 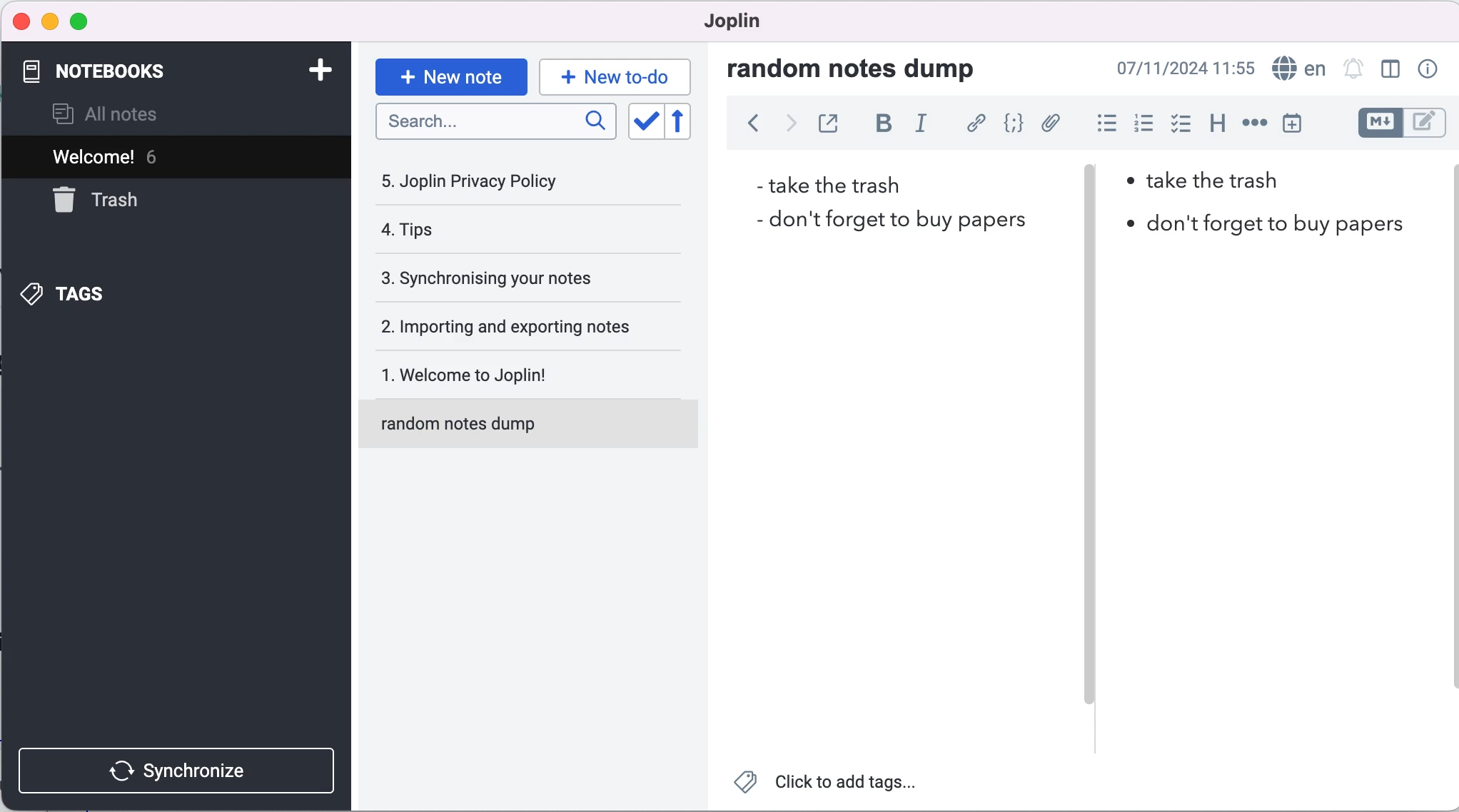 I want to click on random notes dump, so click(x=865, y=68).